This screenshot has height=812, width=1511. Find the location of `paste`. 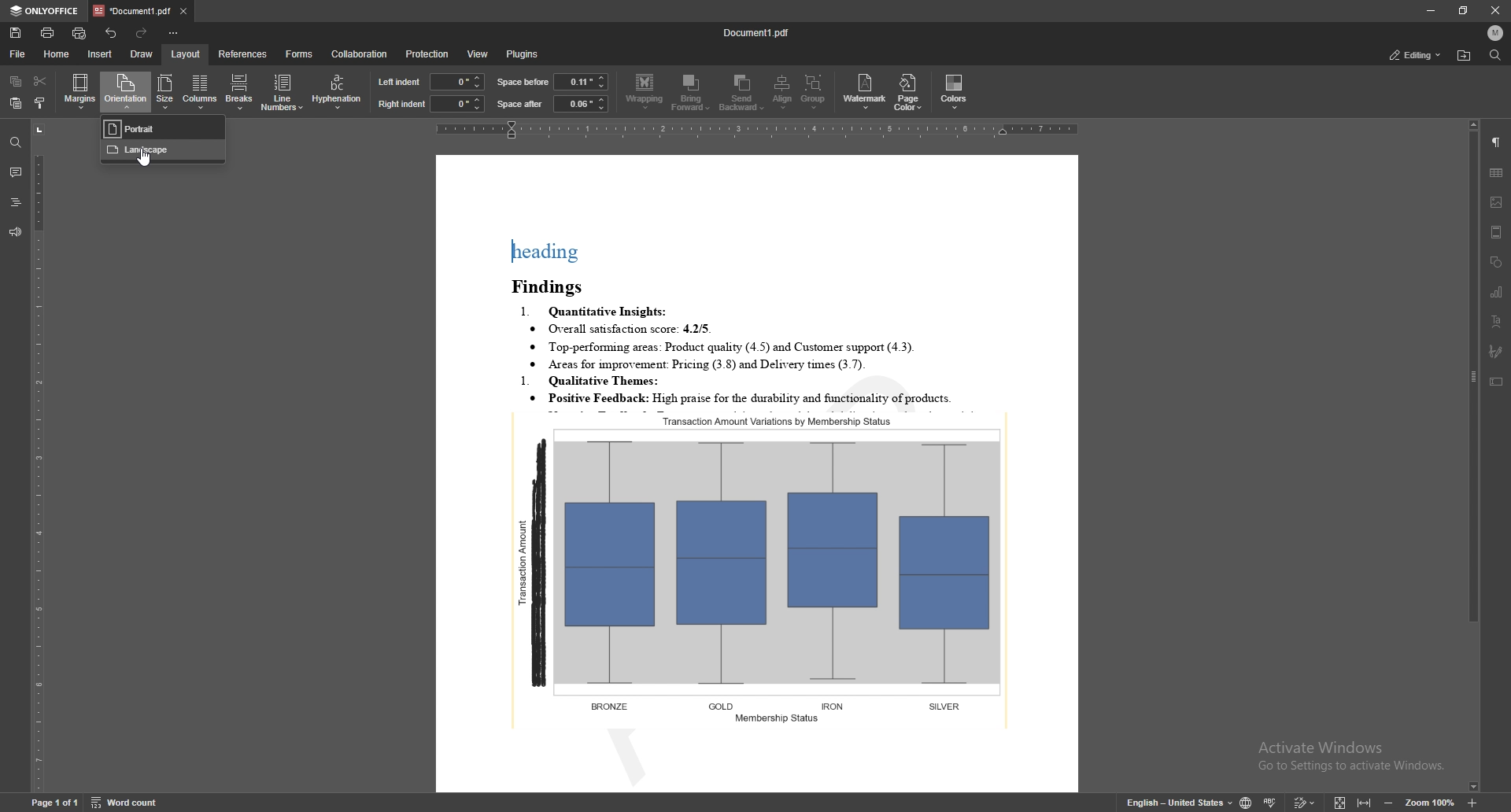

paste is located at coordinates (13, 103).